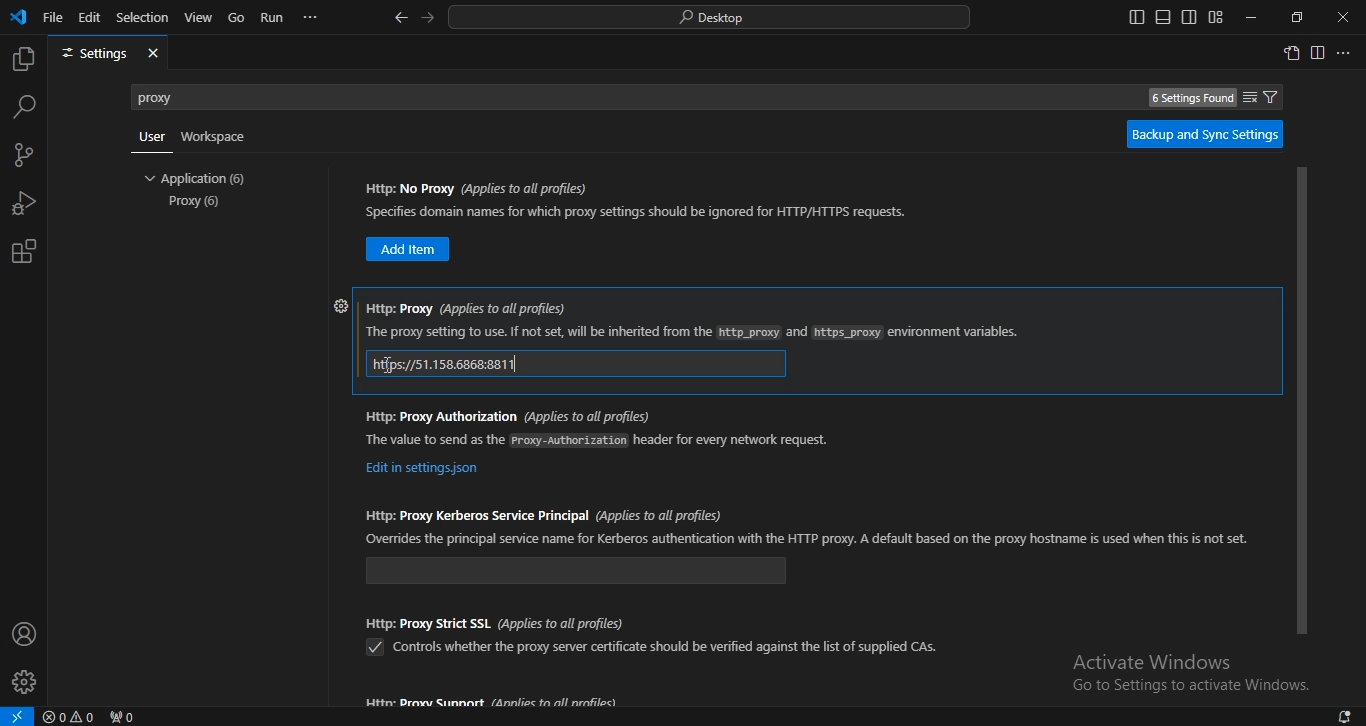 The width and height of the screenshot is (1366, 726). What do you see at coordinates (18, 715) in the screenshot?
I see `Open a remote window` at bounding box center [18, 715].